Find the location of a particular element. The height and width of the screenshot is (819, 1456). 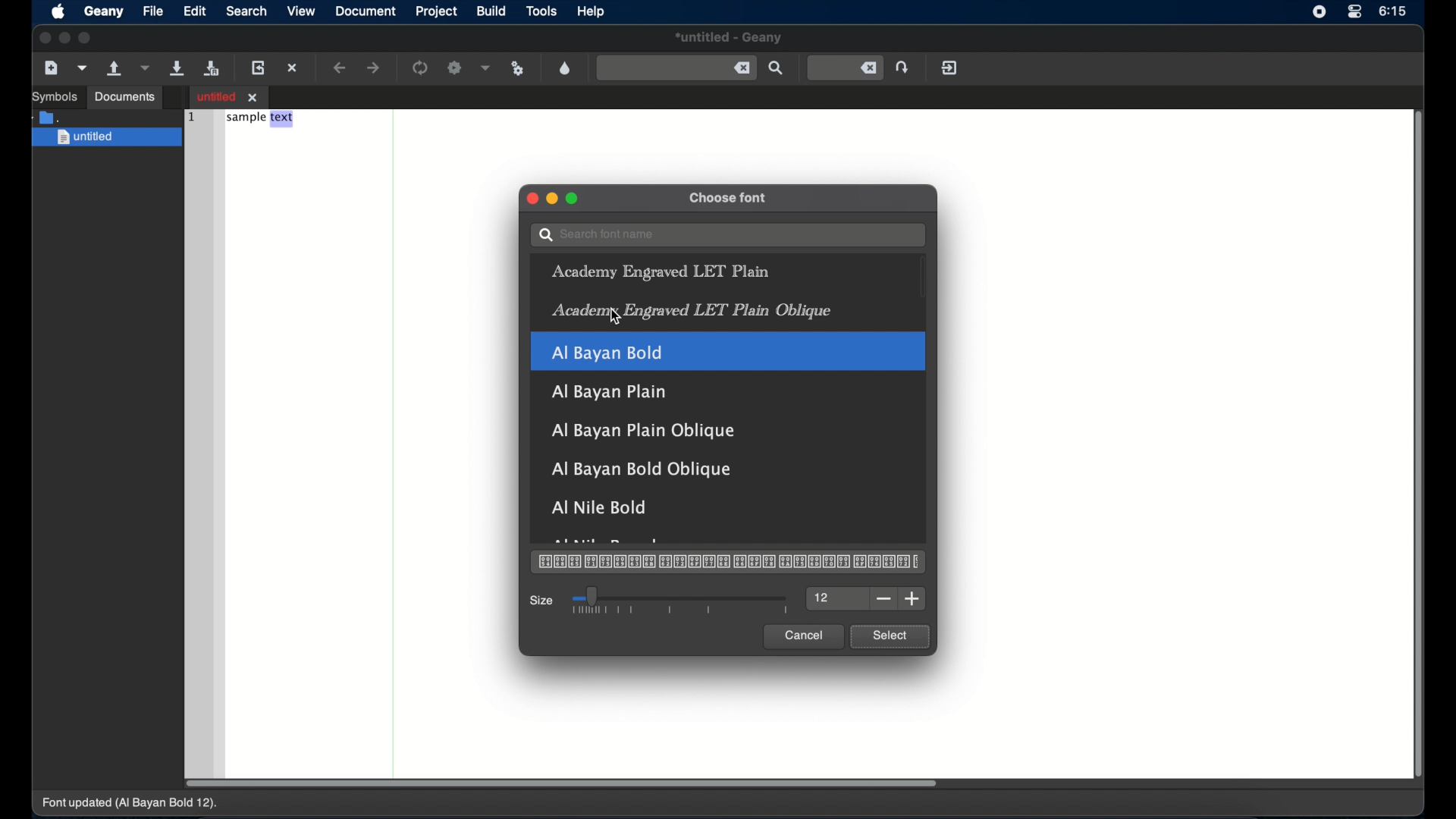

find the entered text in the current file is located at coordinates (676, 67).